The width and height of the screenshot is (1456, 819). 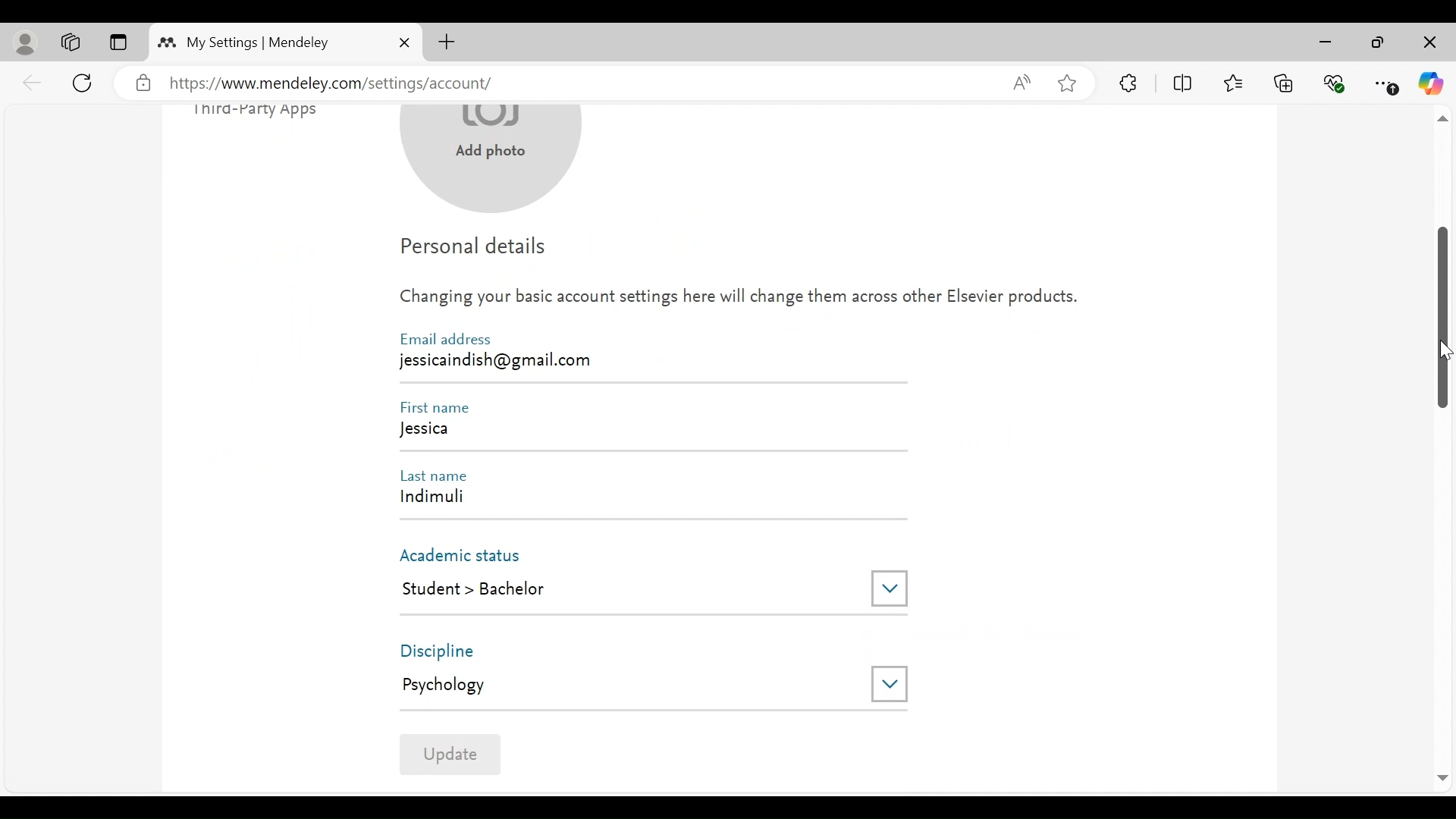 I want to click on Read aloud this page, so click(x=1021, y=82).